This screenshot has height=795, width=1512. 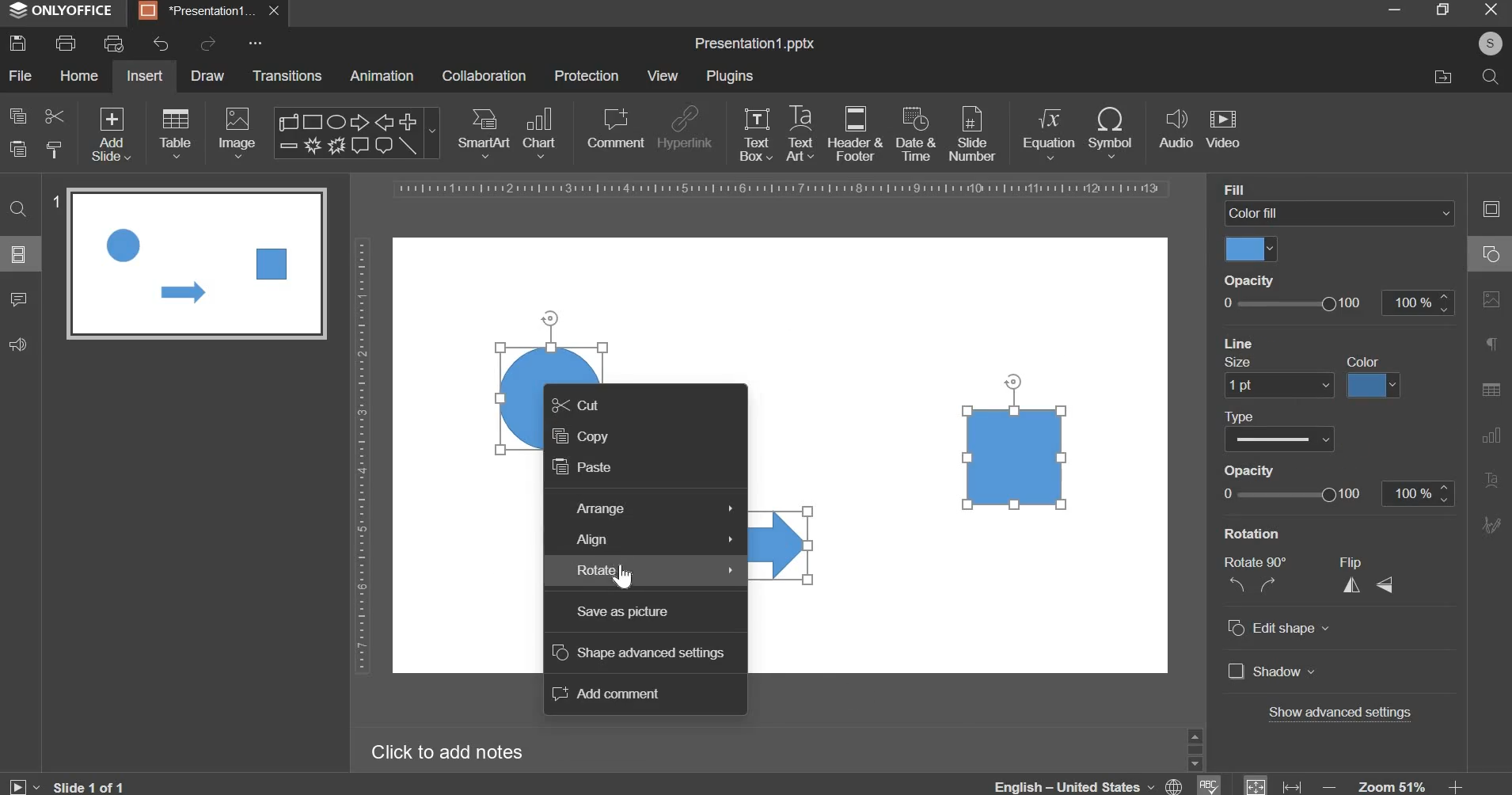 I want to click on fit to screen, so click(x=1256, y=784).